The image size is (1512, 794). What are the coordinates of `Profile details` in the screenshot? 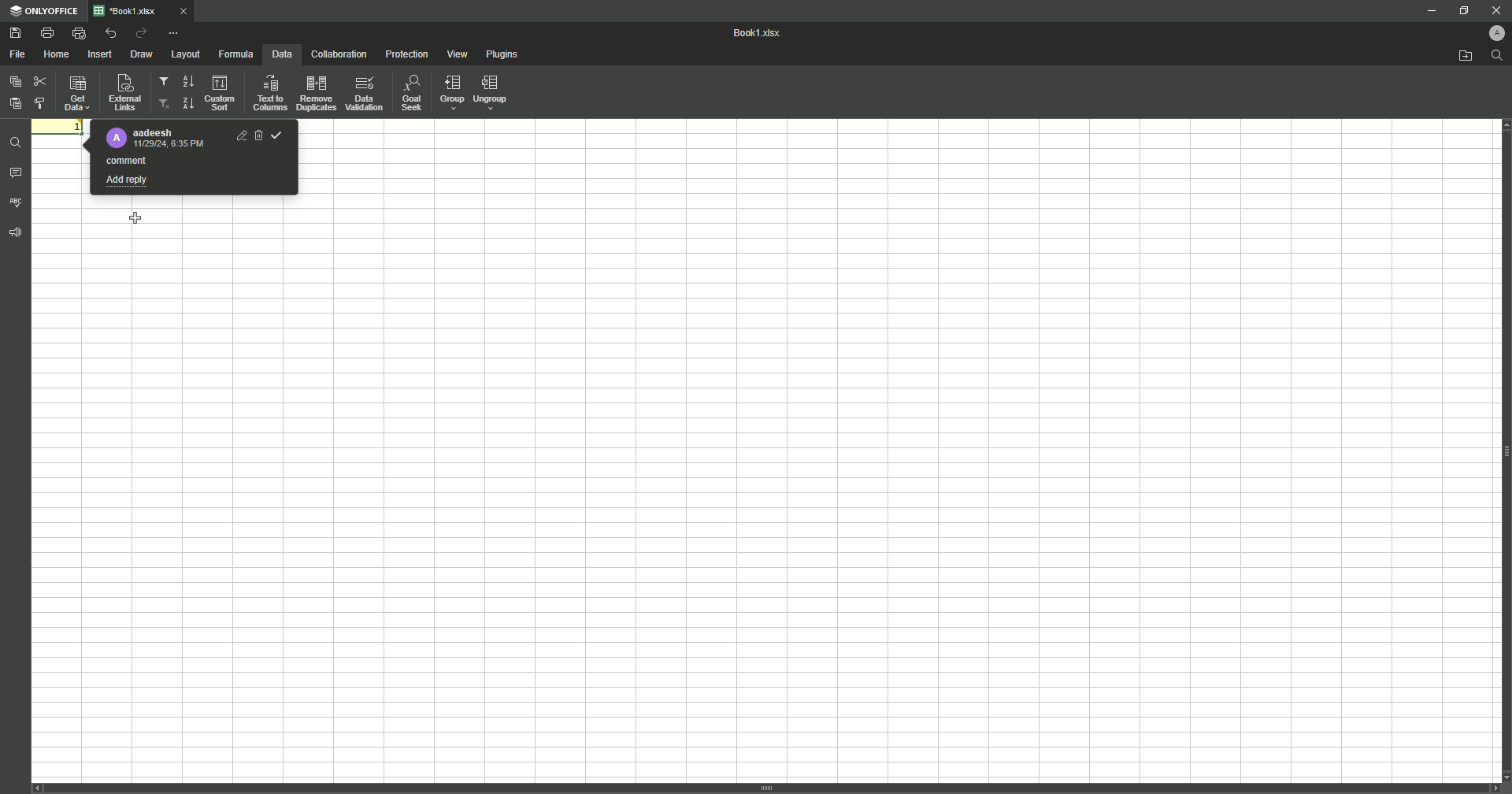 It's located at (157, 139).